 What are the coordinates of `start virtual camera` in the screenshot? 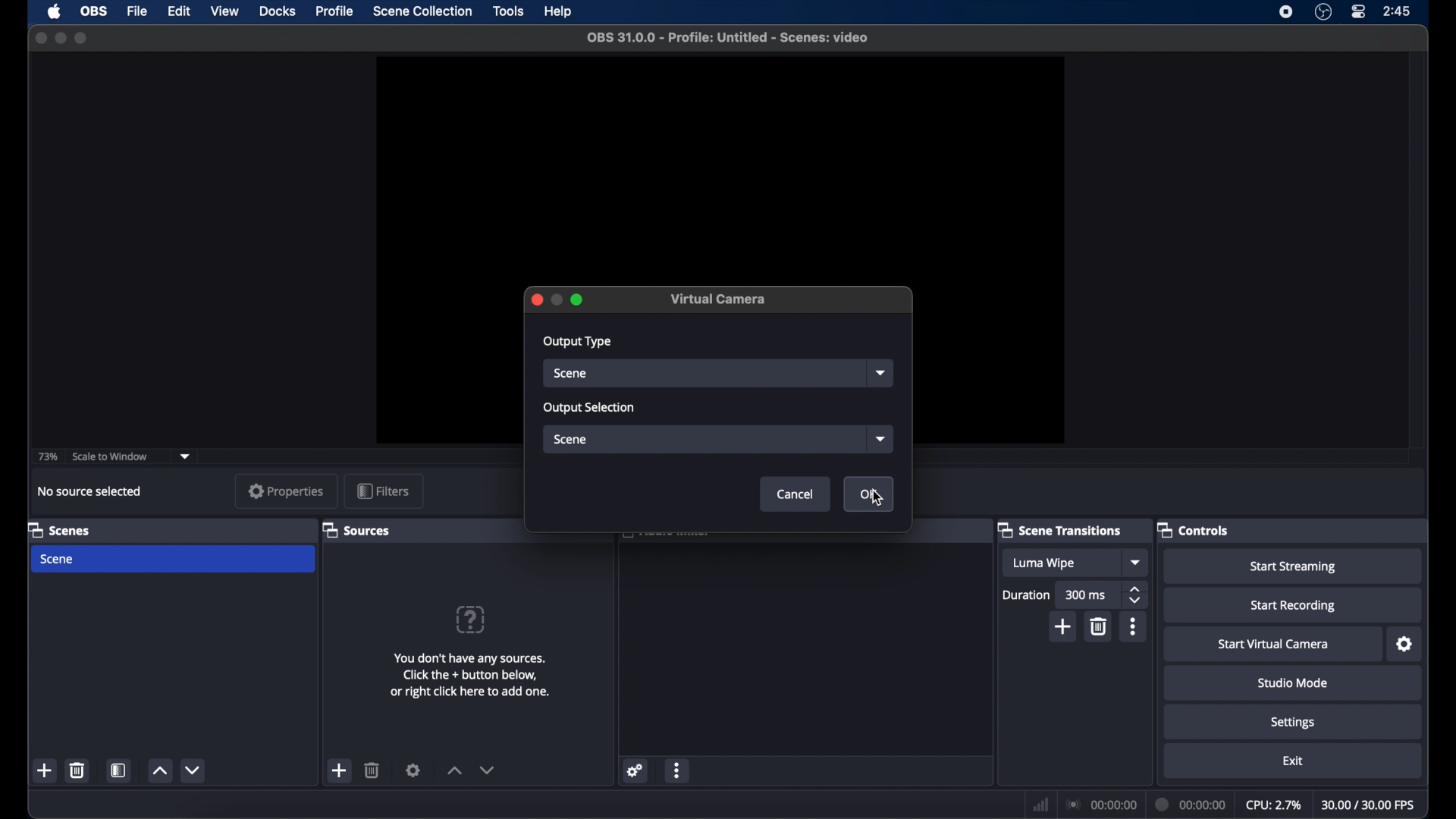 It's located at (1274, 645).